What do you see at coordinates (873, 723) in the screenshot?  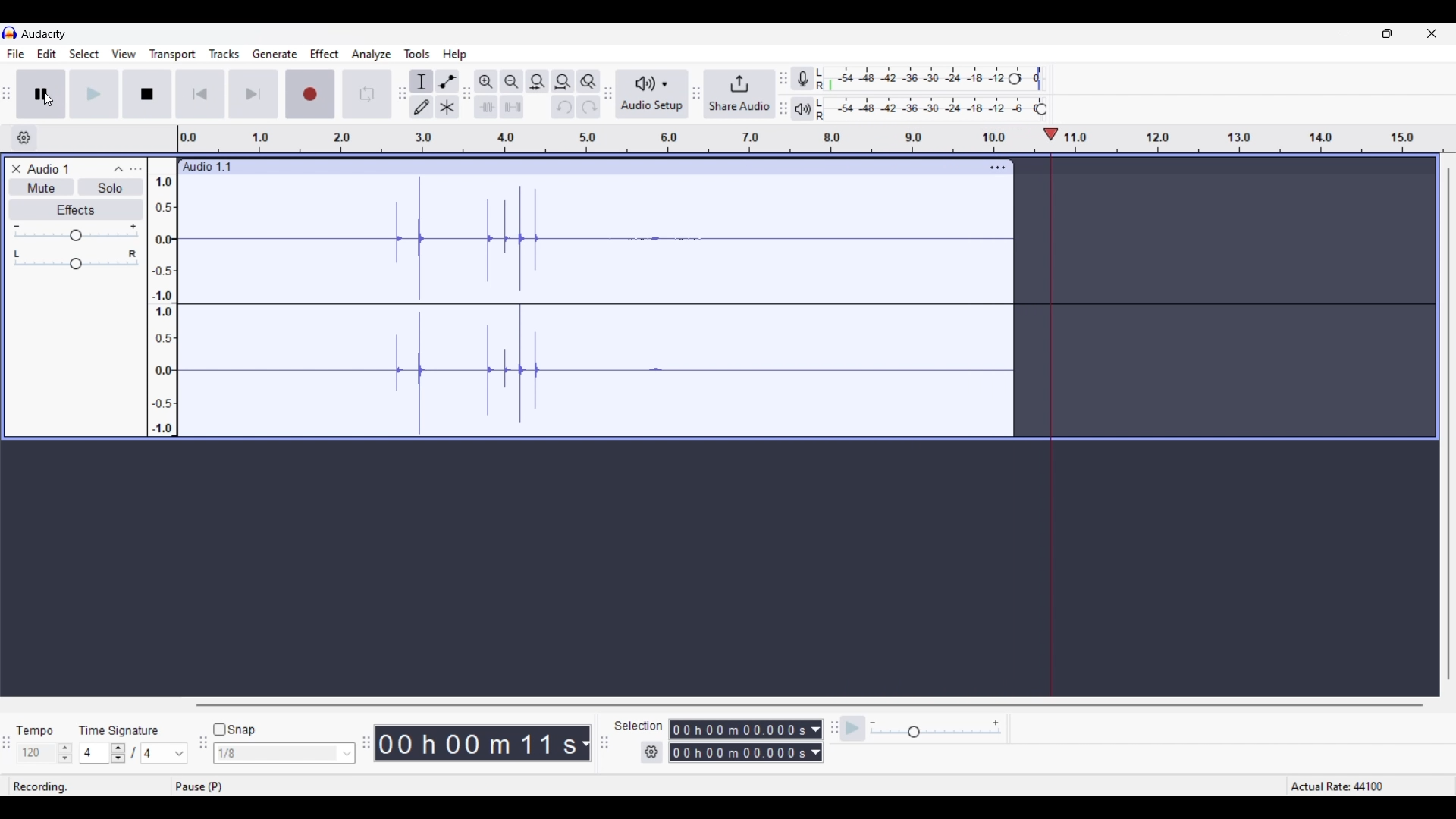 I see `Minimum playback speed` at bounding box center [873, 723].